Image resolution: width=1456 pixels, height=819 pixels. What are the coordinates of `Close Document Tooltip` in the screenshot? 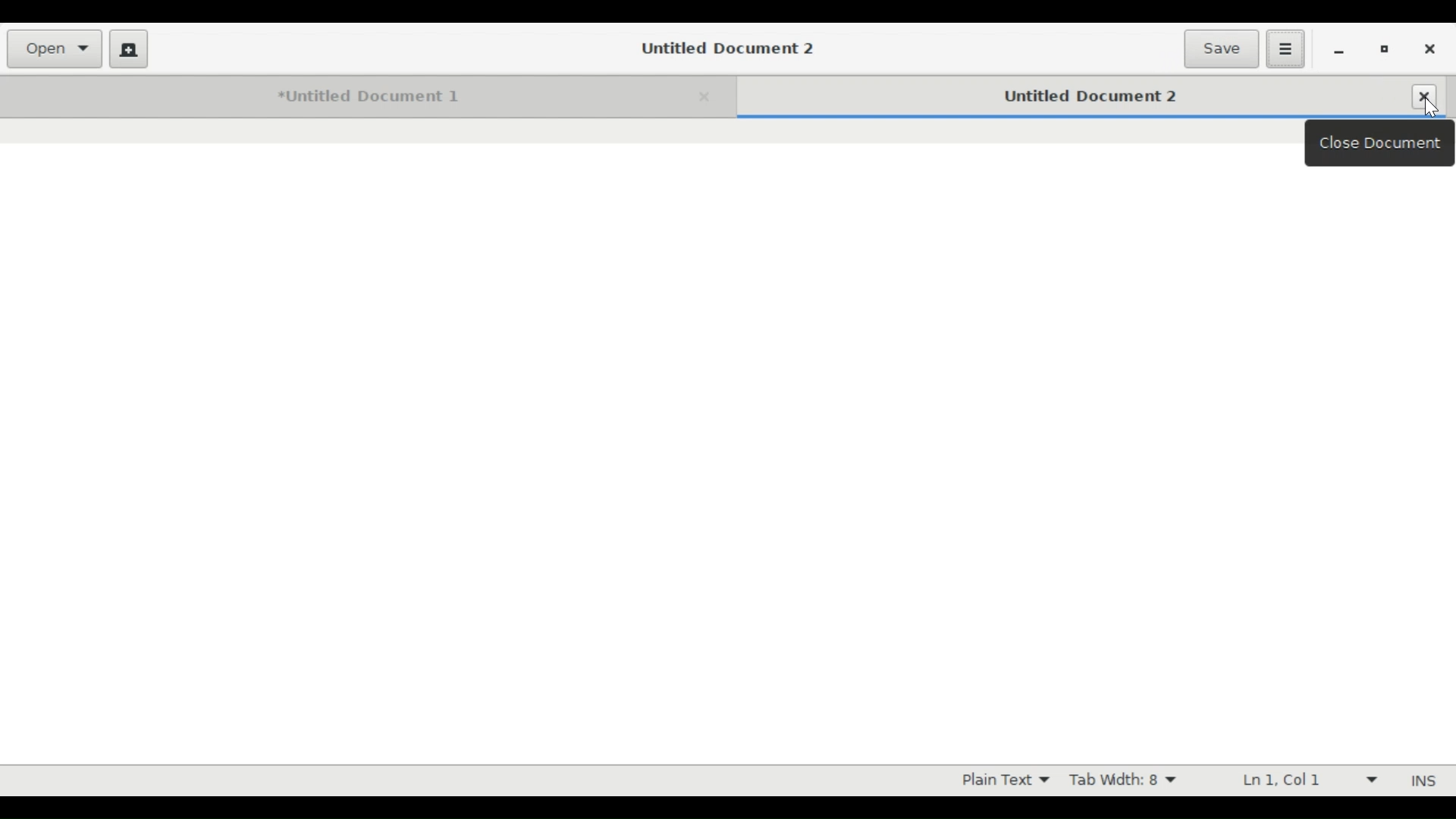 It's located at (1382, 143).